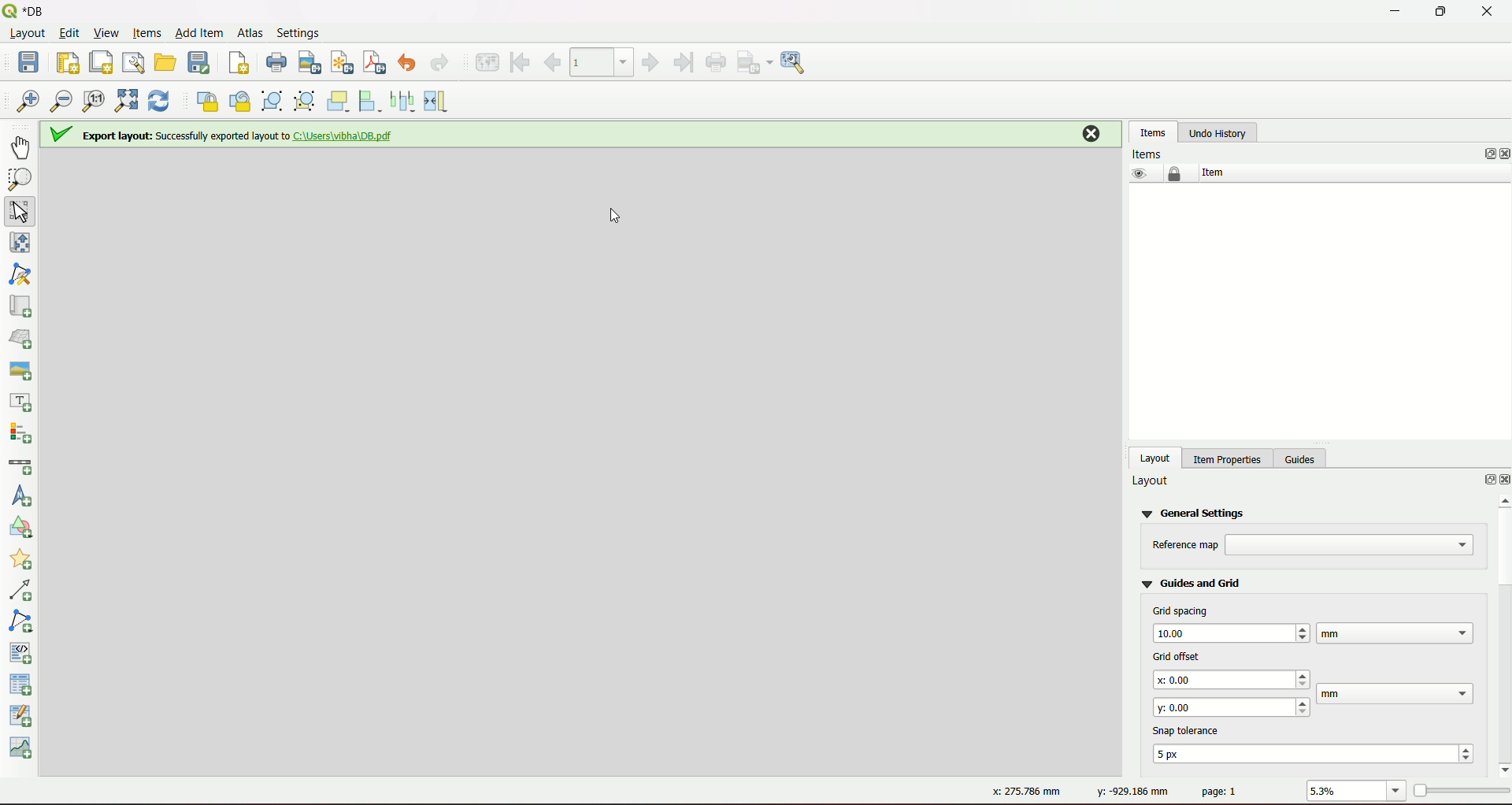  I want to click on close, so click(1503, 154).